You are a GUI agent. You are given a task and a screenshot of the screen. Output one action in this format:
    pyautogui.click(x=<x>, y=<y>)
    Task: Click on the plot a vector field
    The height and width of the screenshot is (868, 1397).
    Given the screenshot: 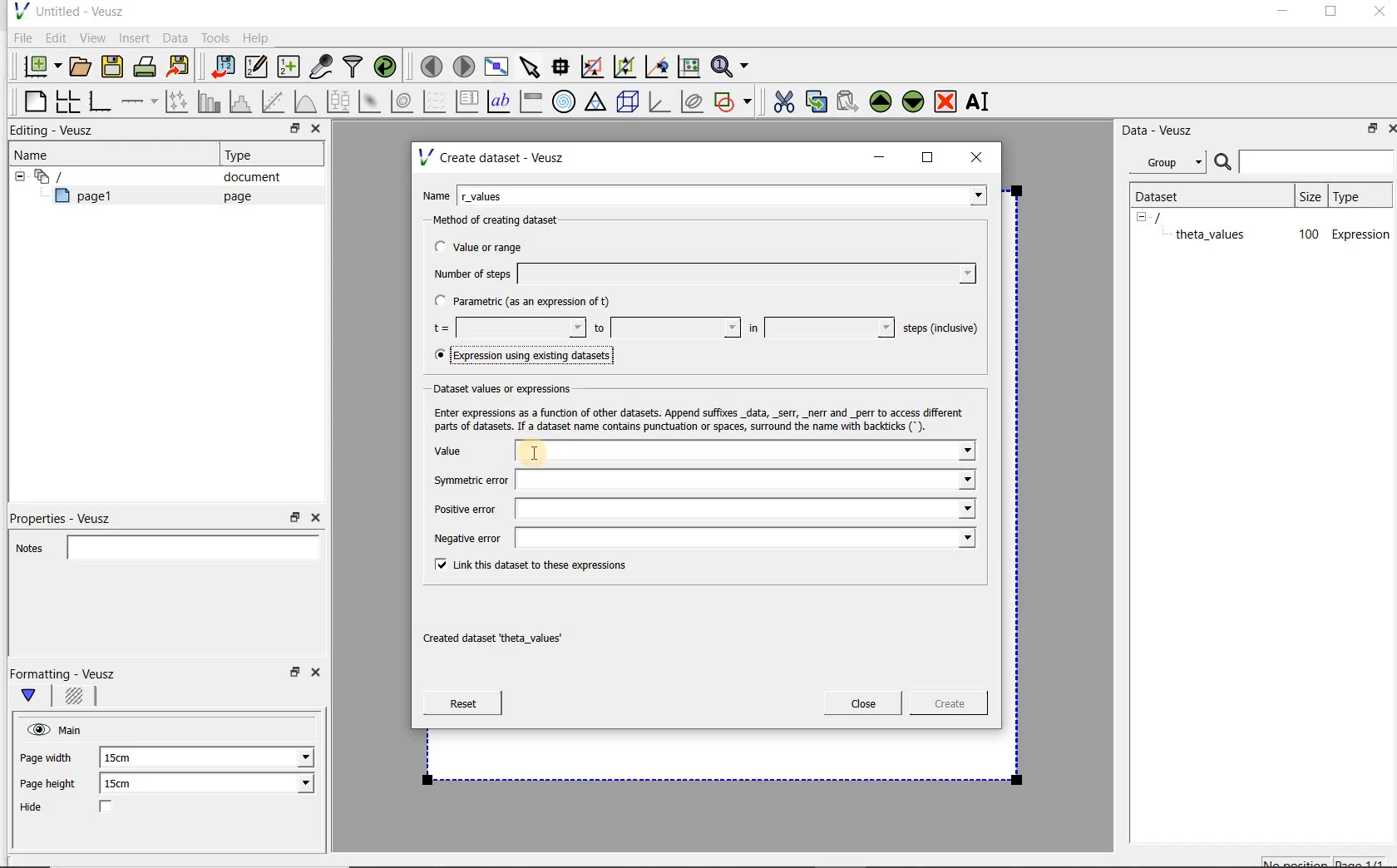 What is the action you would take?
    pyautogui.click(x=435, y=100)
    